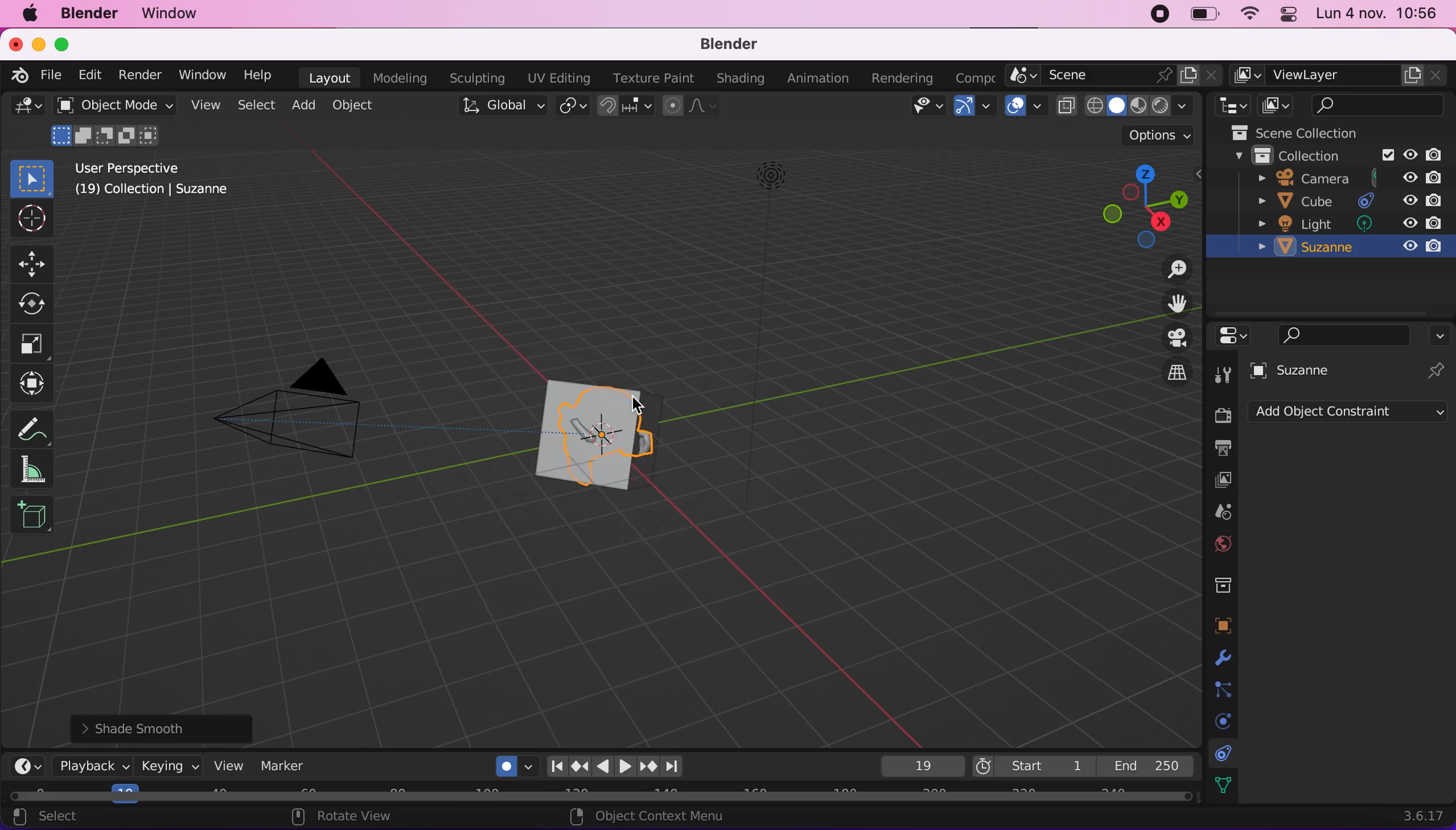  What do you see at coordinates (1176, 372) in the screenshot?
I see `switch the current view` at bounding box center [1176, 372].